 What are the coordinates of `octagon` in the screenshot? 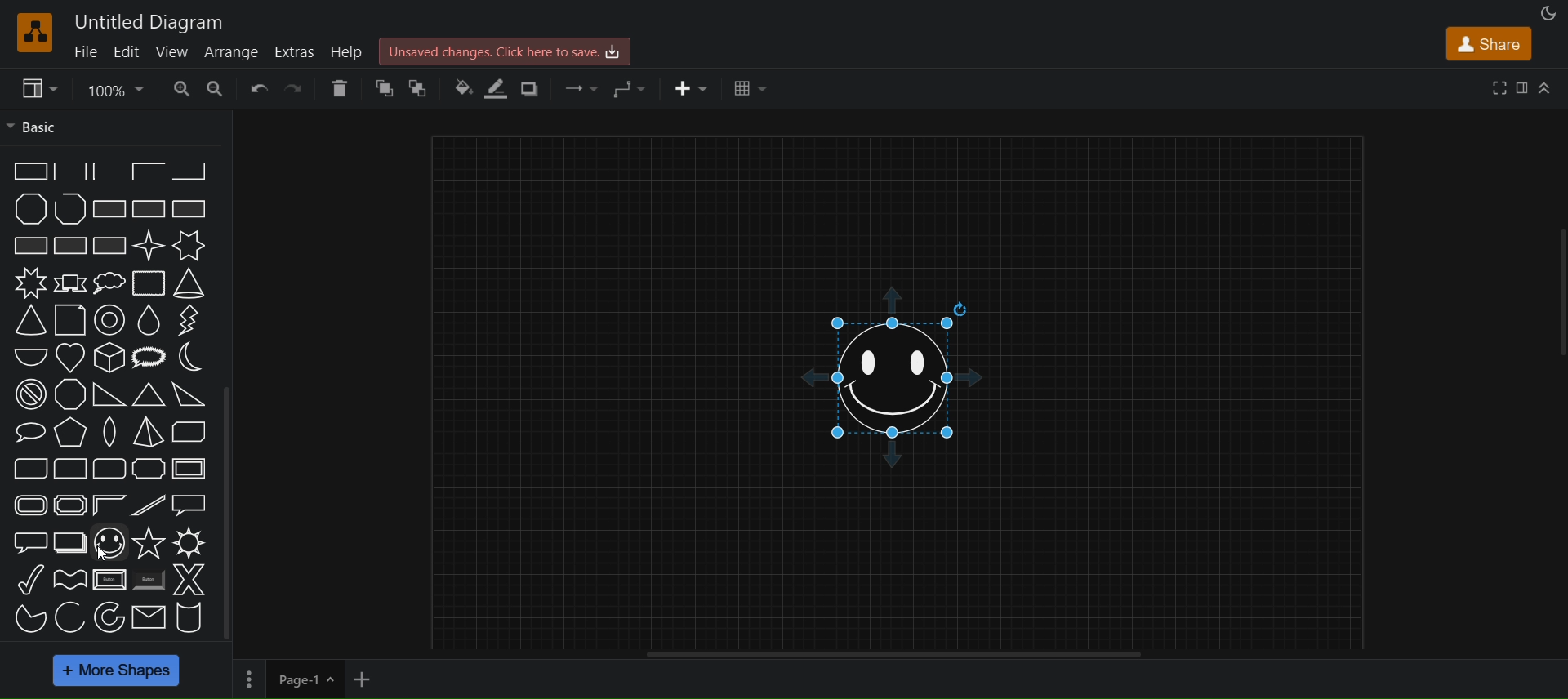 It's located at (69, 395).